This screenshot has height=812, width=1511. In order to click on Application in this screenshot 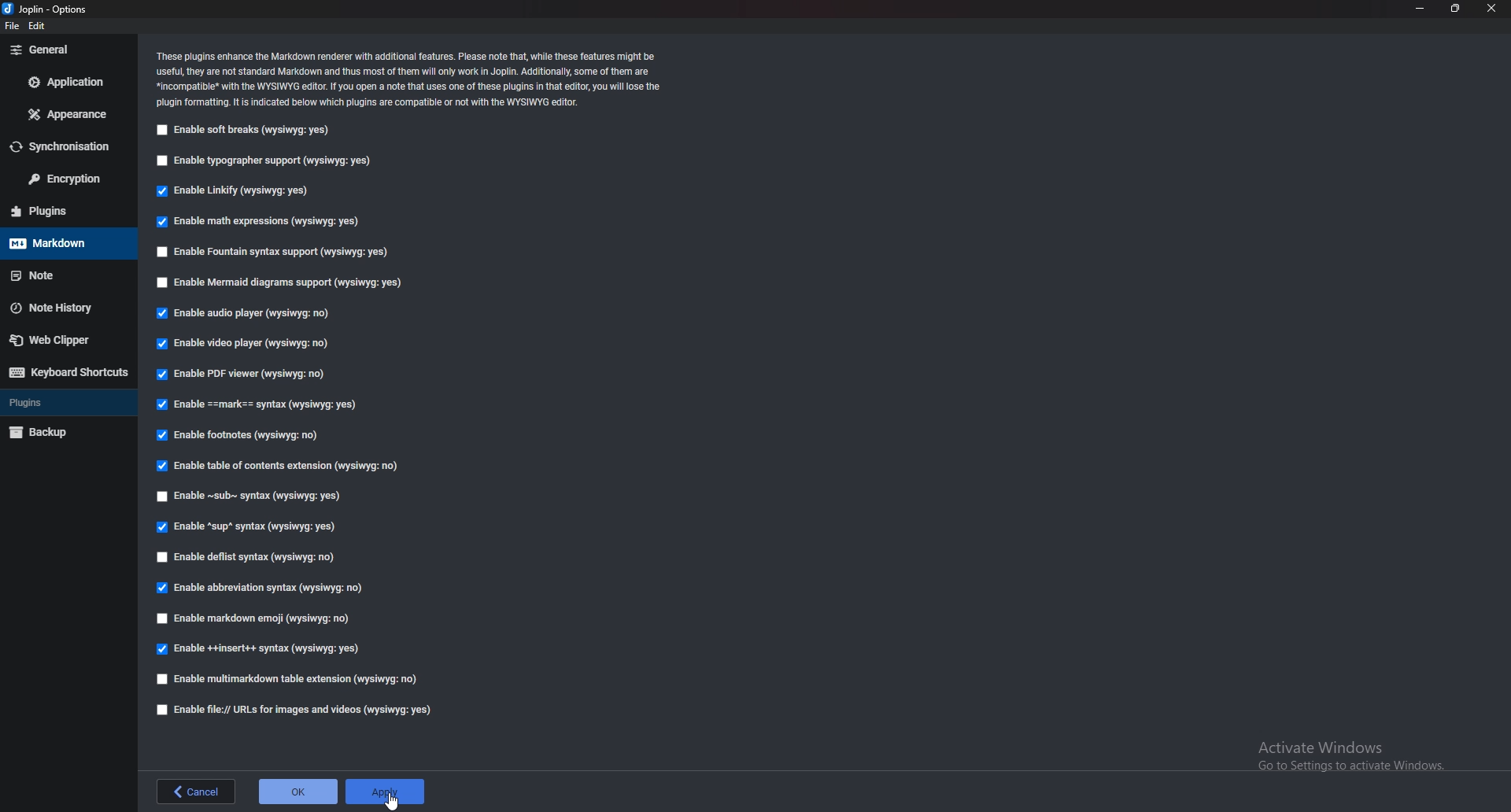, I will do `click(67, 83)`.